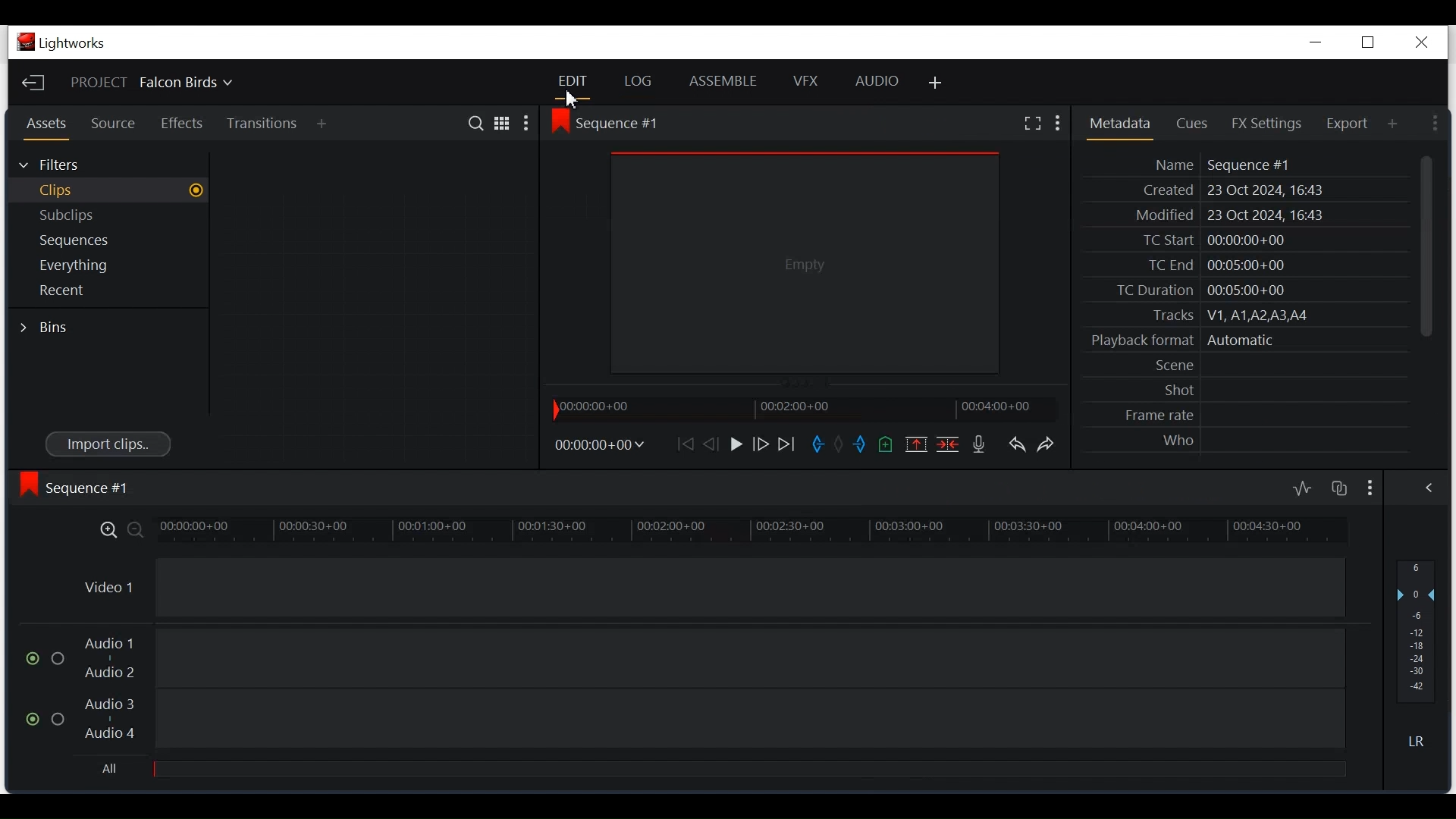 The image size is (1456, 819). I want to click on Video Track, so click(680, 585).